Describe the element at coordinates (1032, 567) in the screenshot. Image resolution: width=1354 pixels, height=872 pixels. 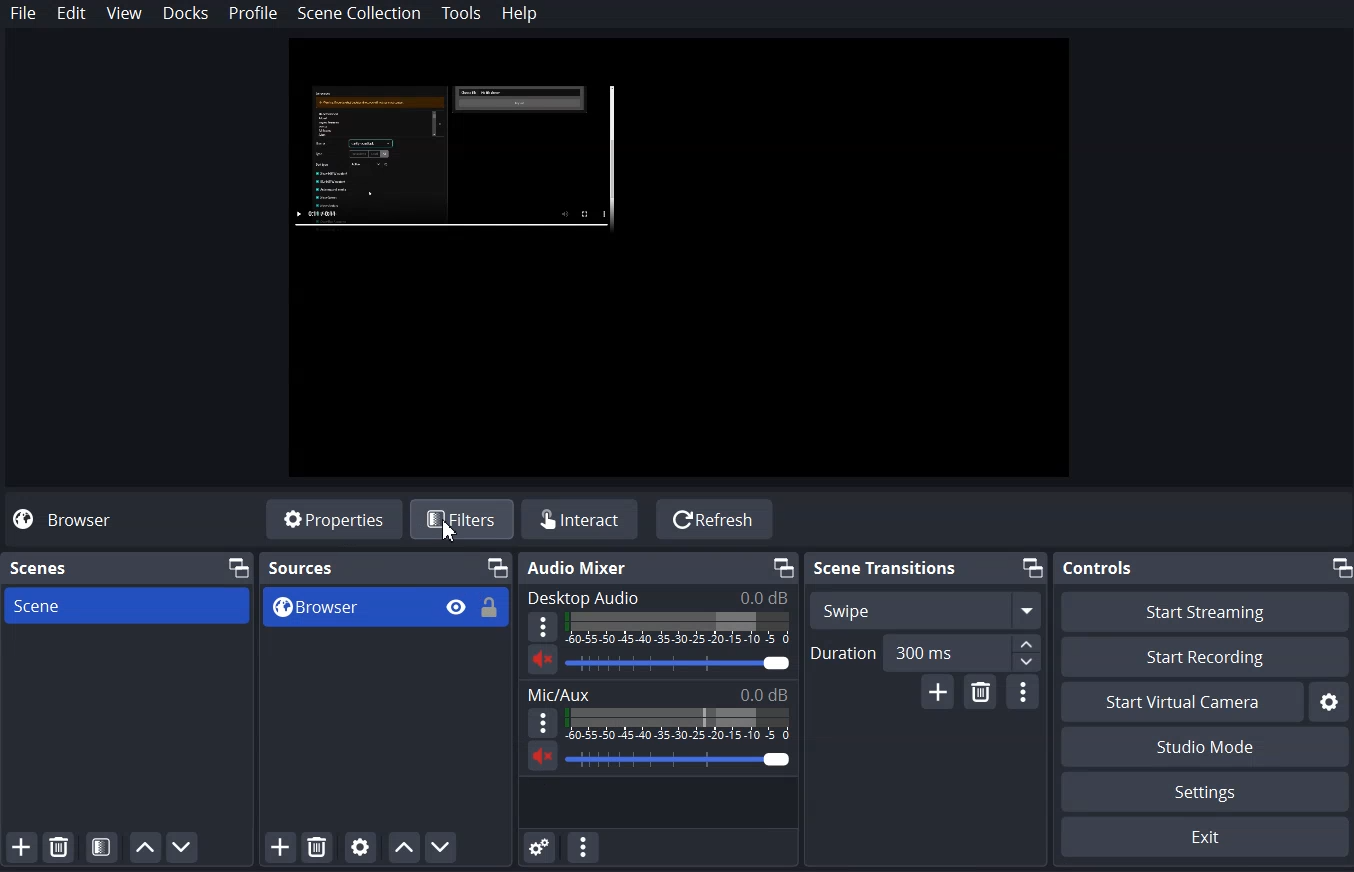
I see `Maximize` at that location.